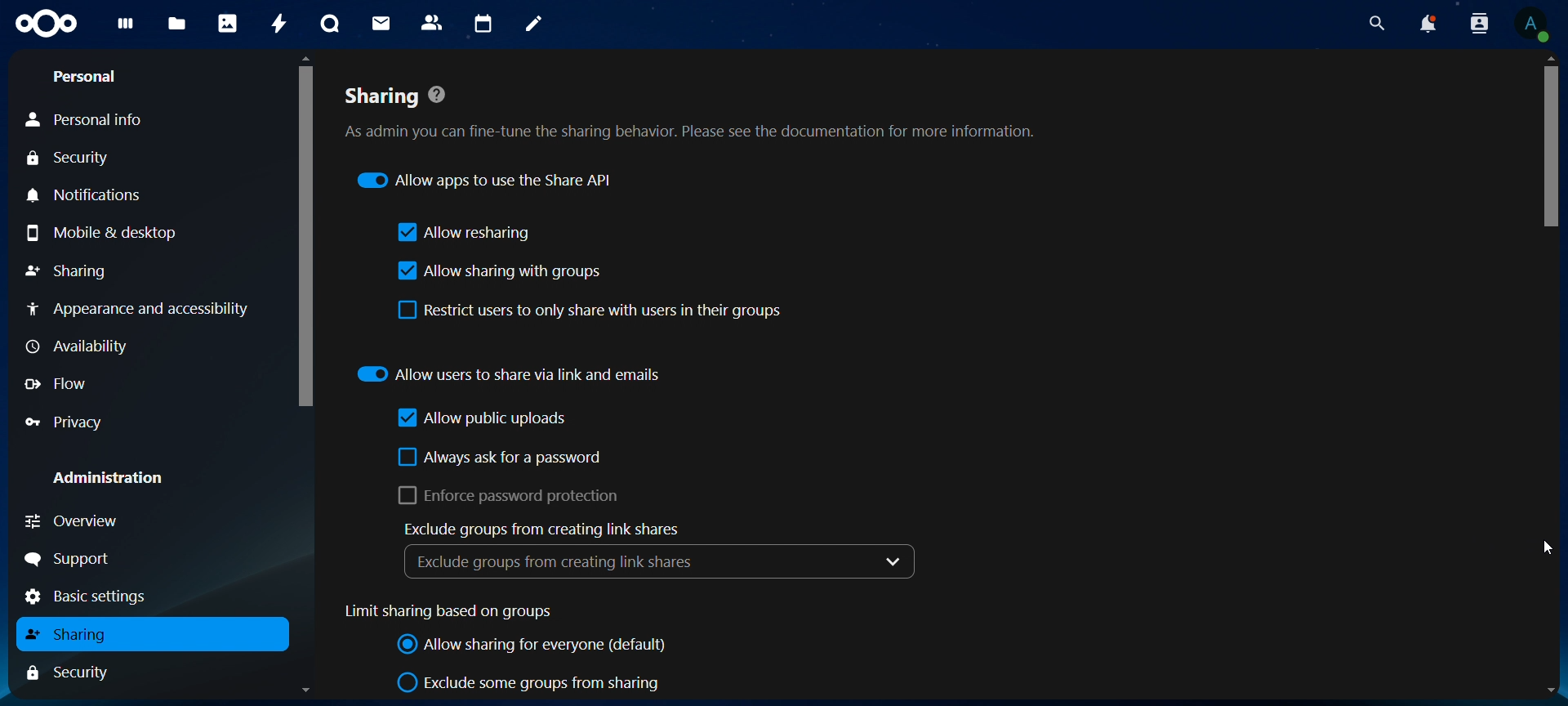 Image resolution: width=1568 pixels, height=706 pixels. I want to click on exclude groups from creating link shares, so click(661, 545).